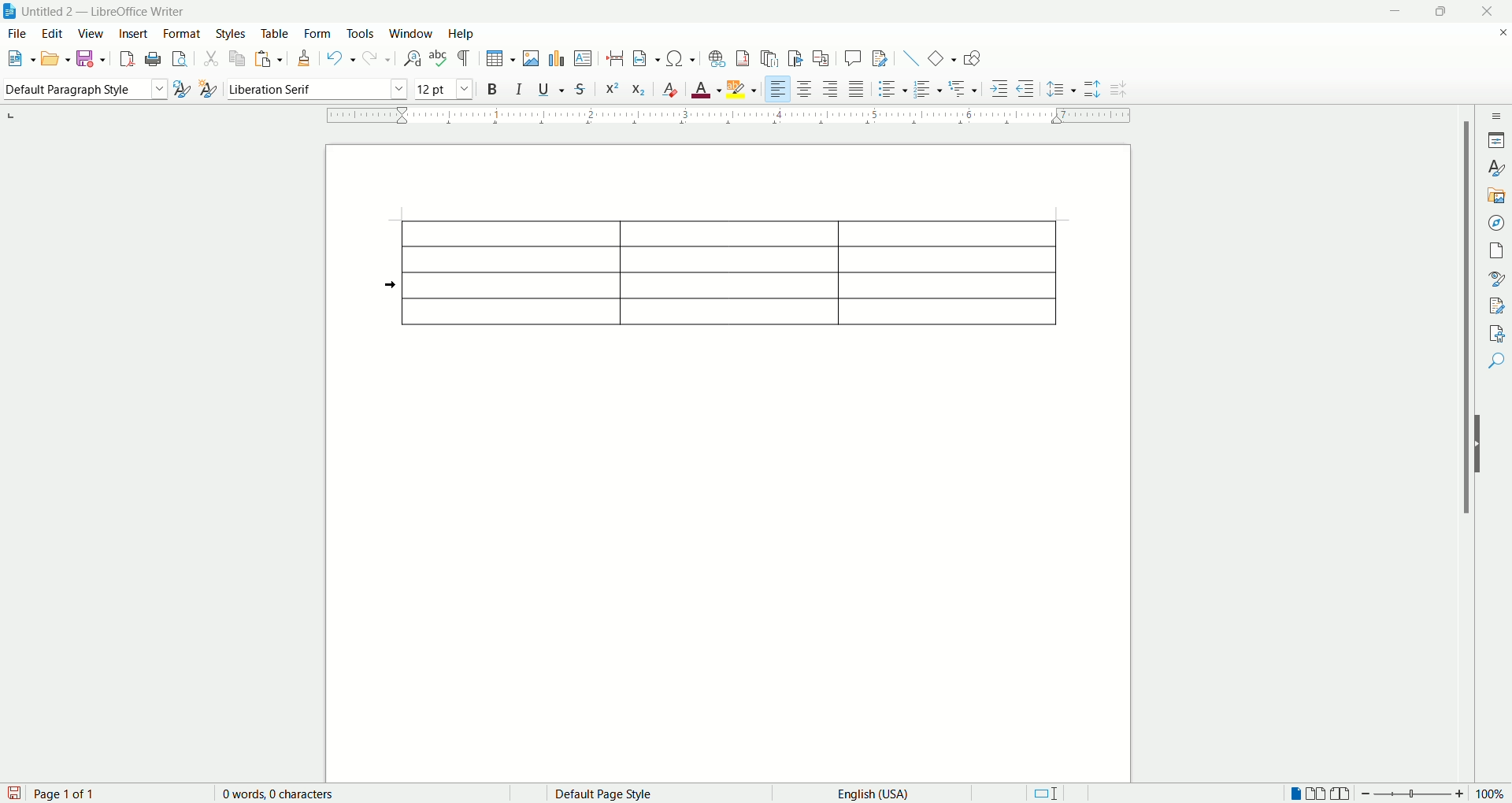 The image size is (1512, 803). I want to click on table, so click(276, 35).